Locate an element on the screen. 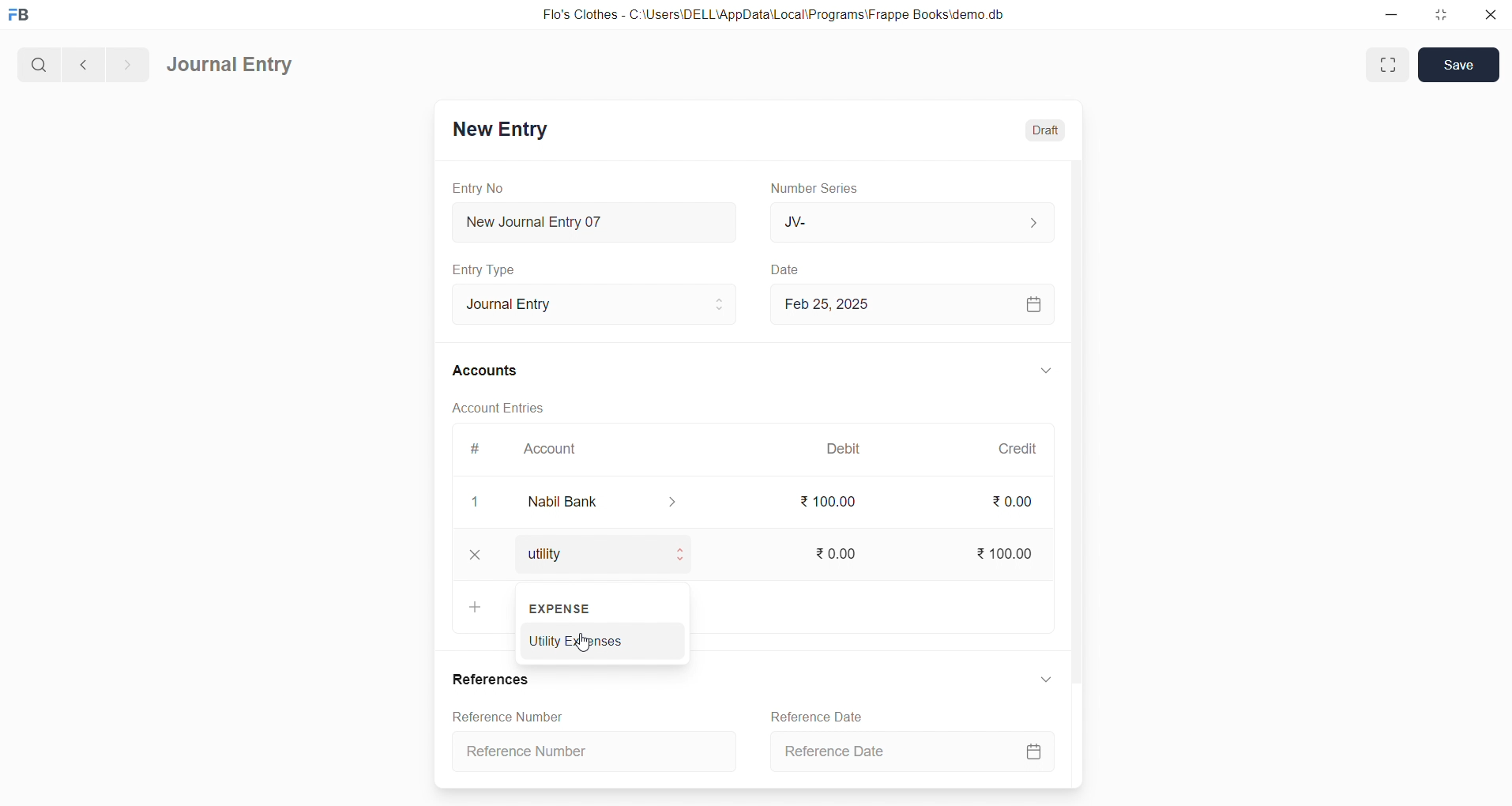 The width and height of the screenshot is (1512, 806). navigate backward  is located at coordinates (81, 62).